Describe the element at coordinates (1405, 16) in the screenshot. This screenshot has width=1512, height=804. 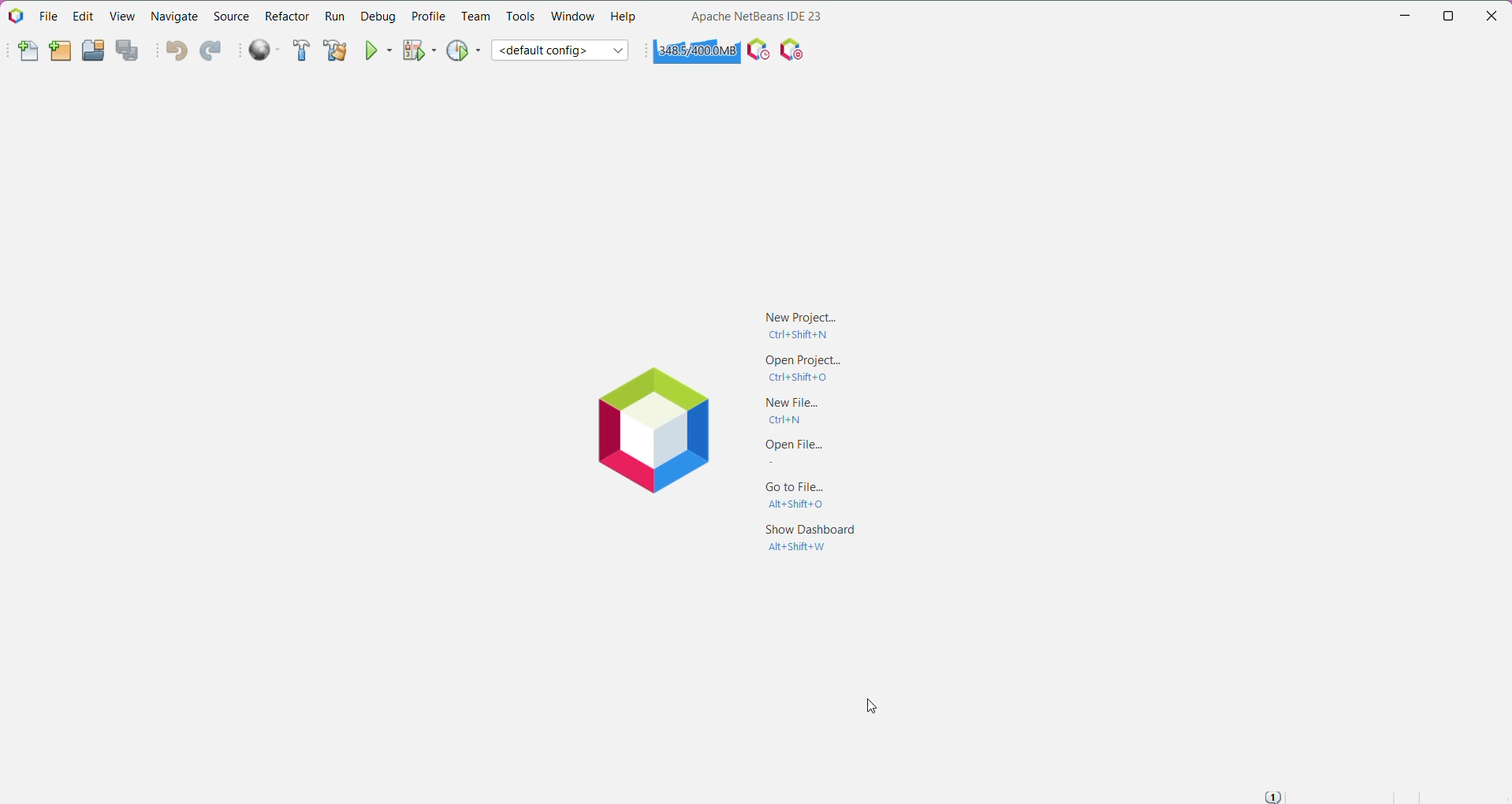
I see `Minimize` at that location.